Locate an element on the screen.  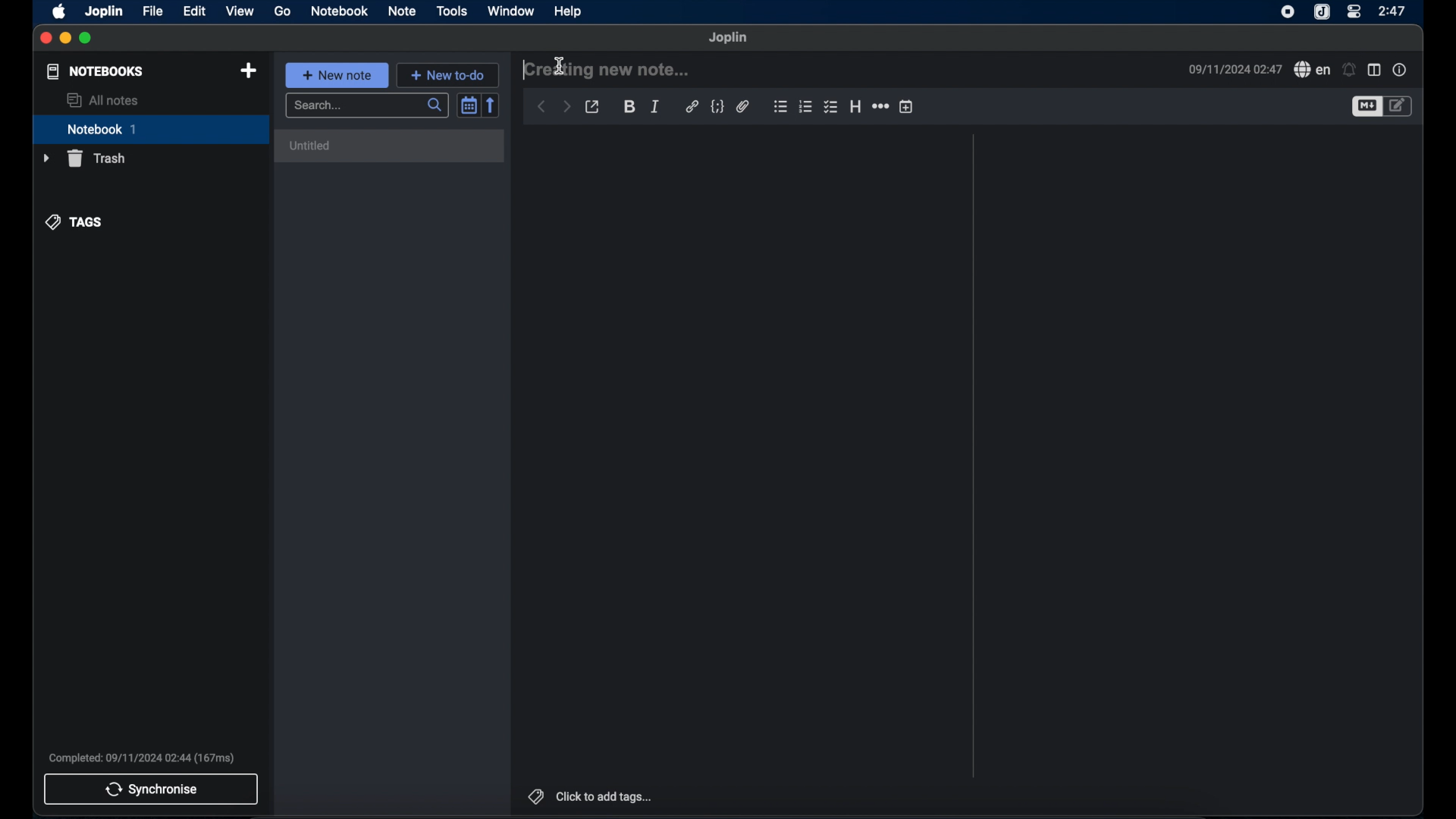
all notes is located at coordinates (102, 100).